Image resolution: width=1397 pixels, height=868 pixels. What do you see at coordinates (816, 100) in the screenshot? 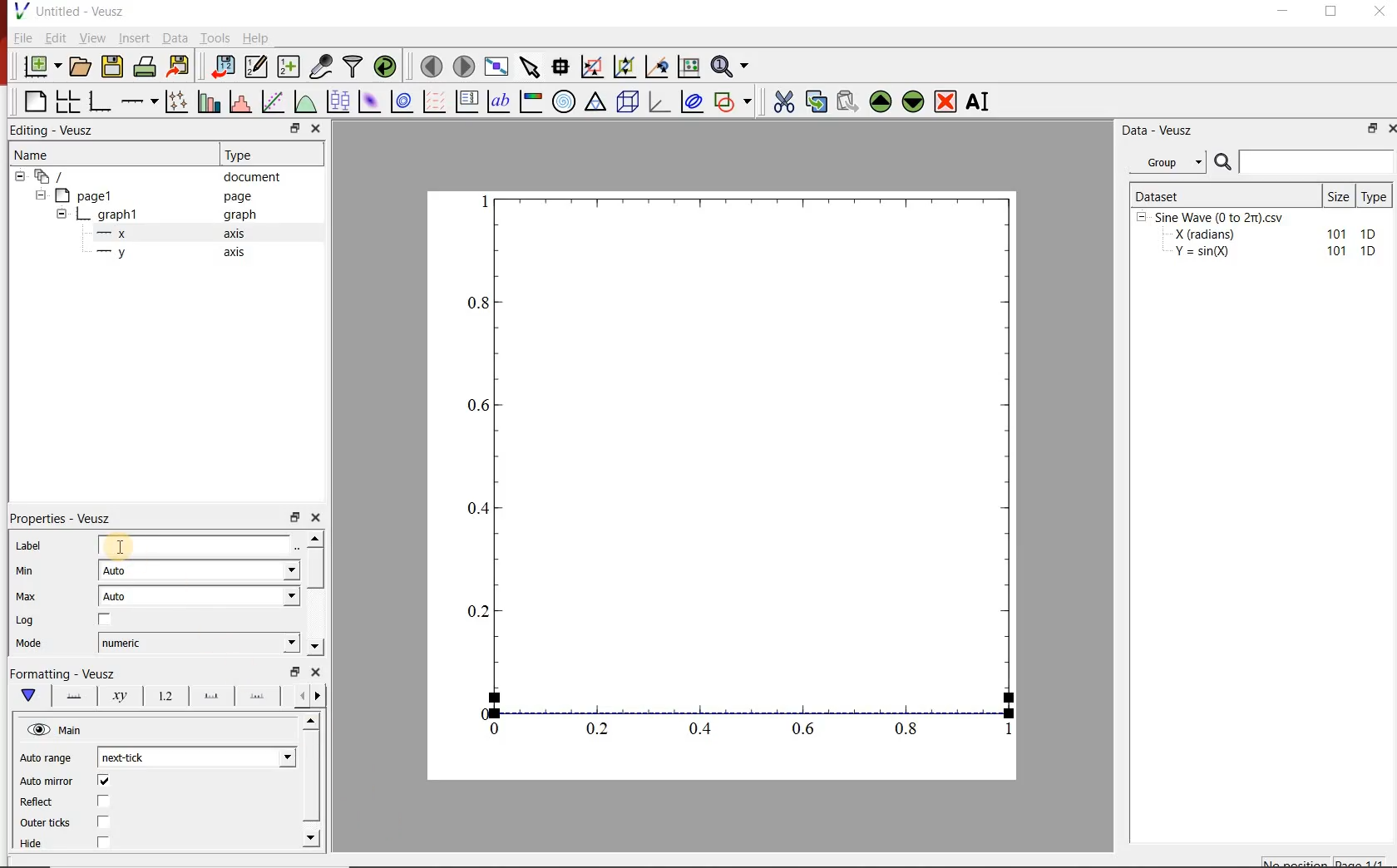
I see `copy` at bounding box center [816, 100].